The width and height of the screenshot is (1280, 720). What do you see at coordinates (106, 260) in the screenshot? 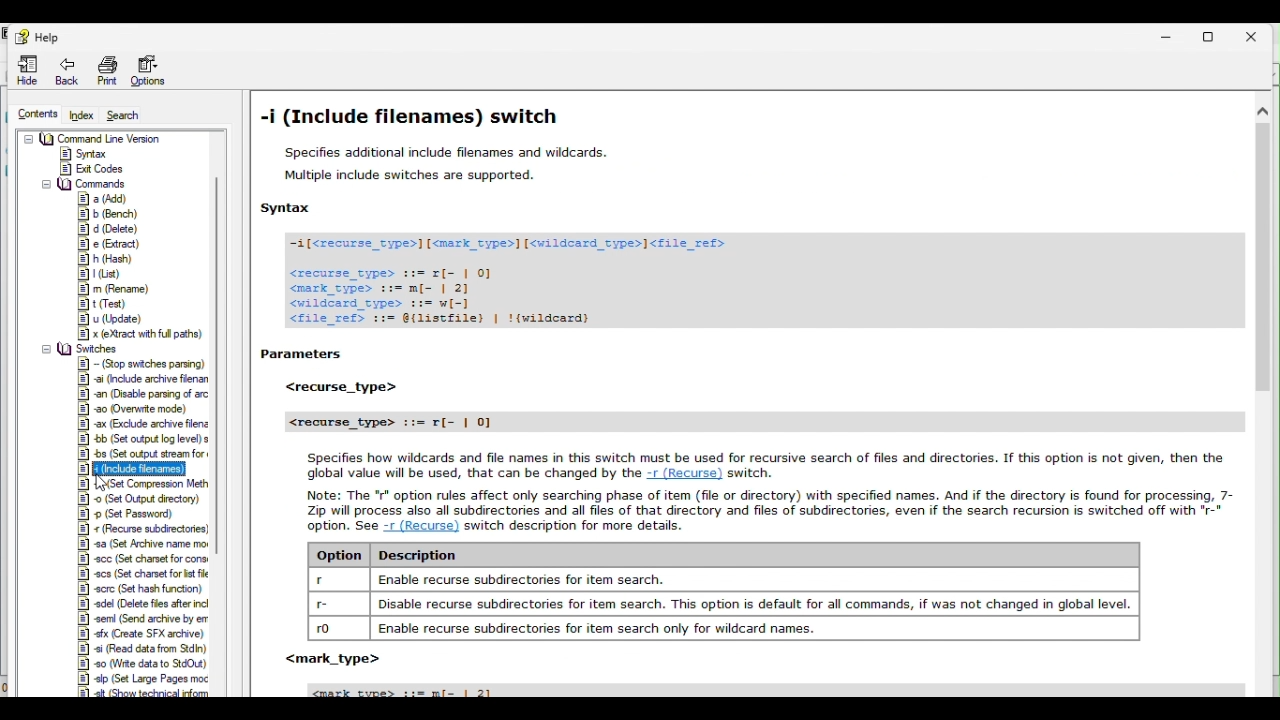
I see `Hash` at bounding box center [106, 260].